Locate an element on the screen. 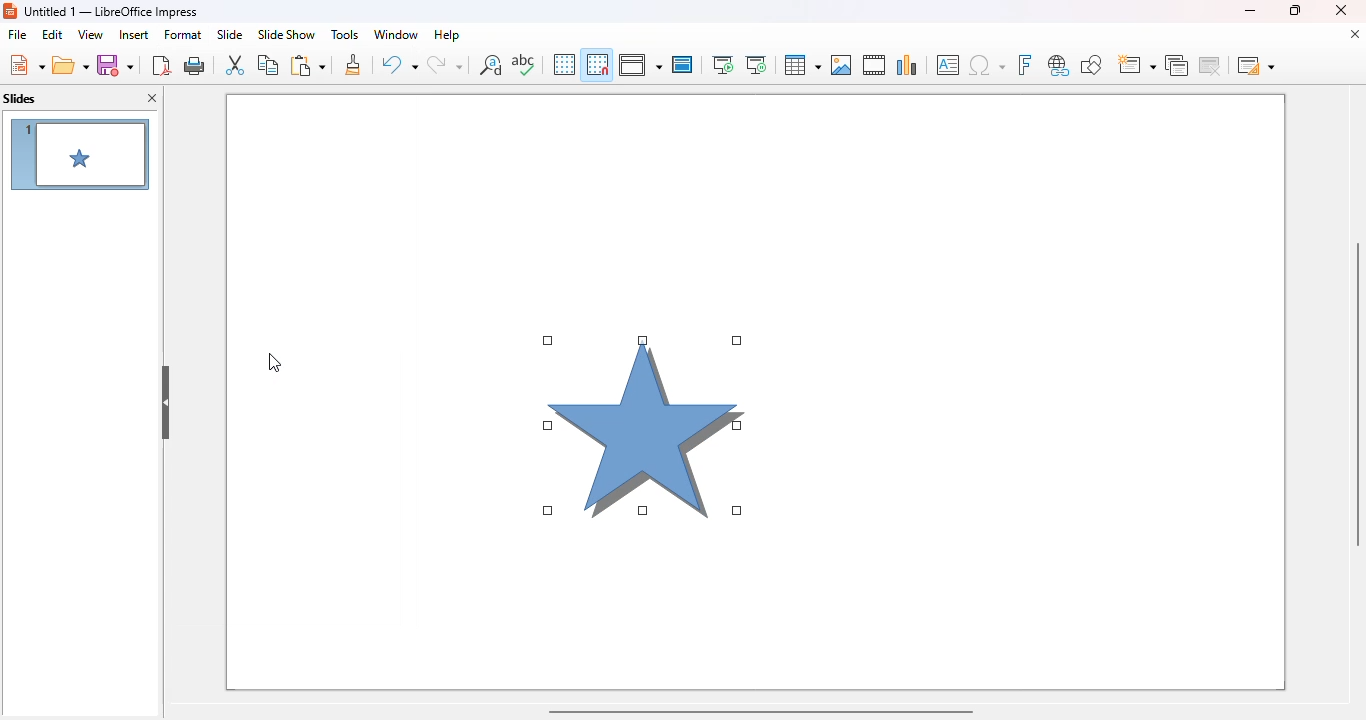  slide layout is located at coordinates (1256, 65).